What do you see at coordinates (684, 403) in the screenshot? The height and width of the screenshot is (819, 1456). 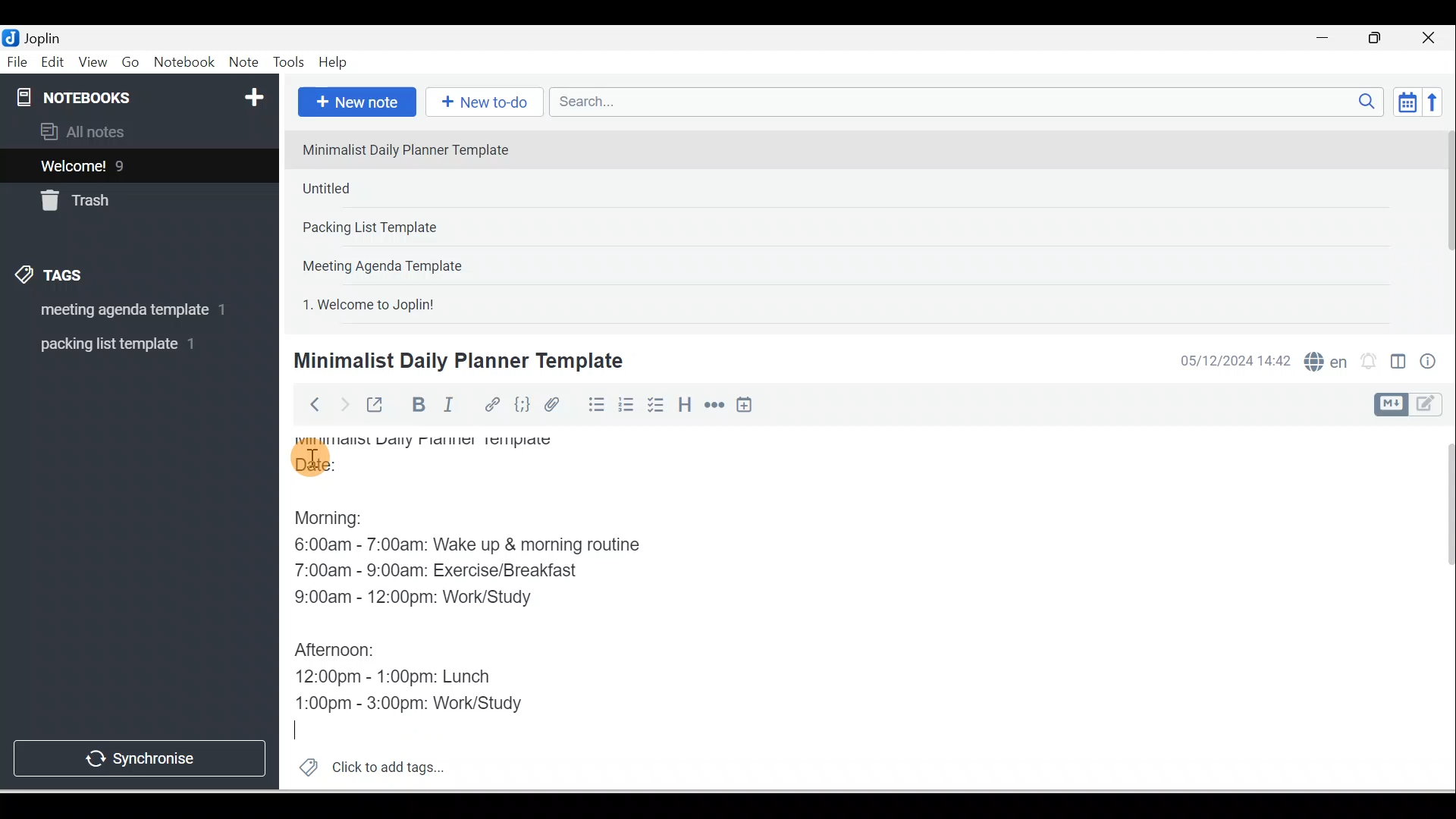 I see `Heading` at bounding box center [684, 403].